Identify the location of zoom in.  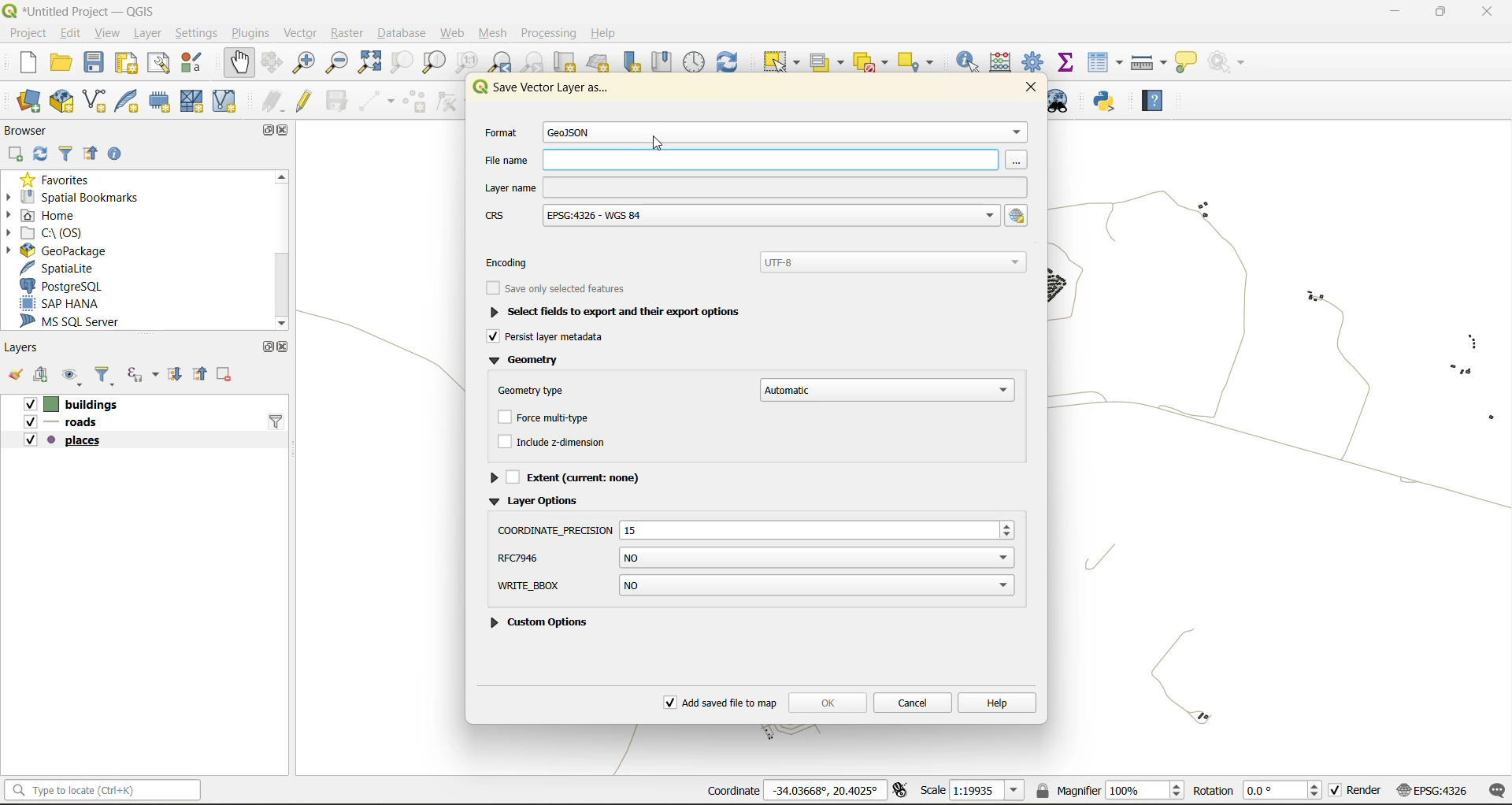
(307, 63).